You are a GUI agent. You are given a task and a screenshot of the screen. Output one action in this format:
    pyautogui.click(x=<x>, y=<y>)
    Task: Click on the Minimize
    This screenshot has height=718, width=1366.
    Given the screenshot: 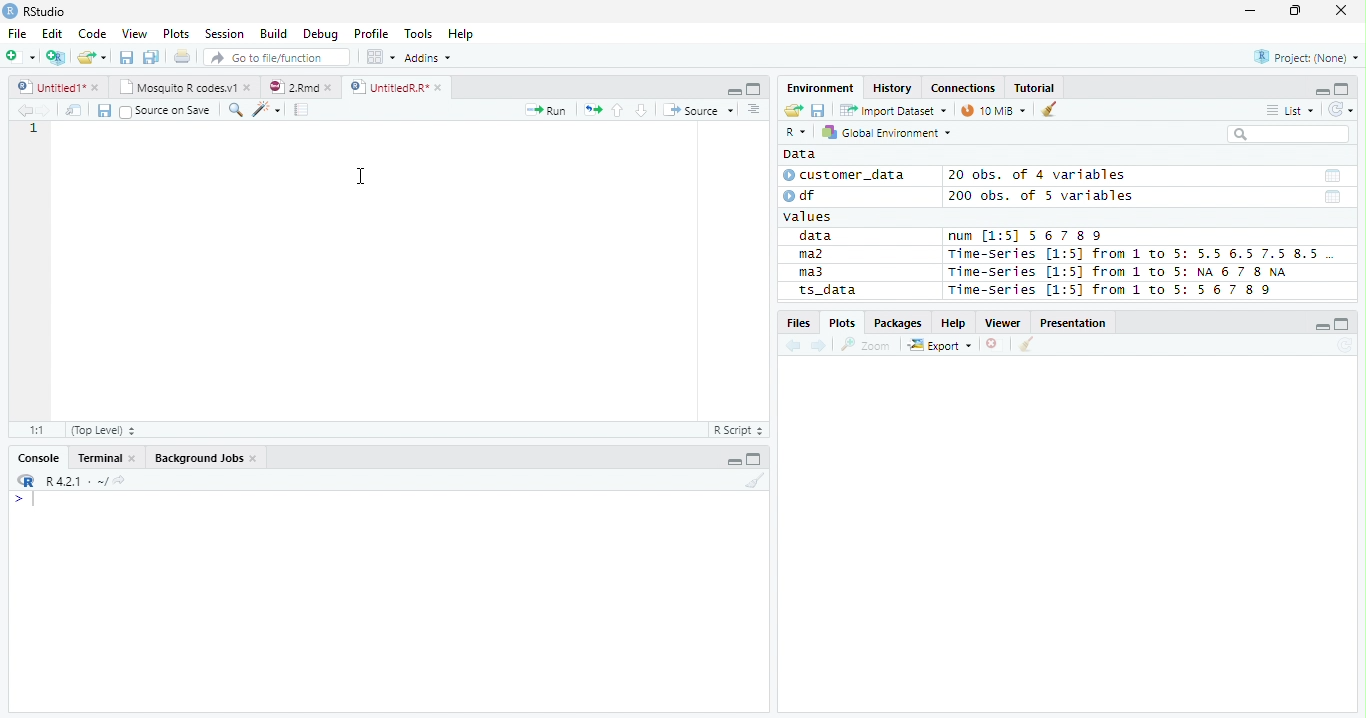 What is the action you would take?
    pyautogui.click(x=1323, y=328)
    